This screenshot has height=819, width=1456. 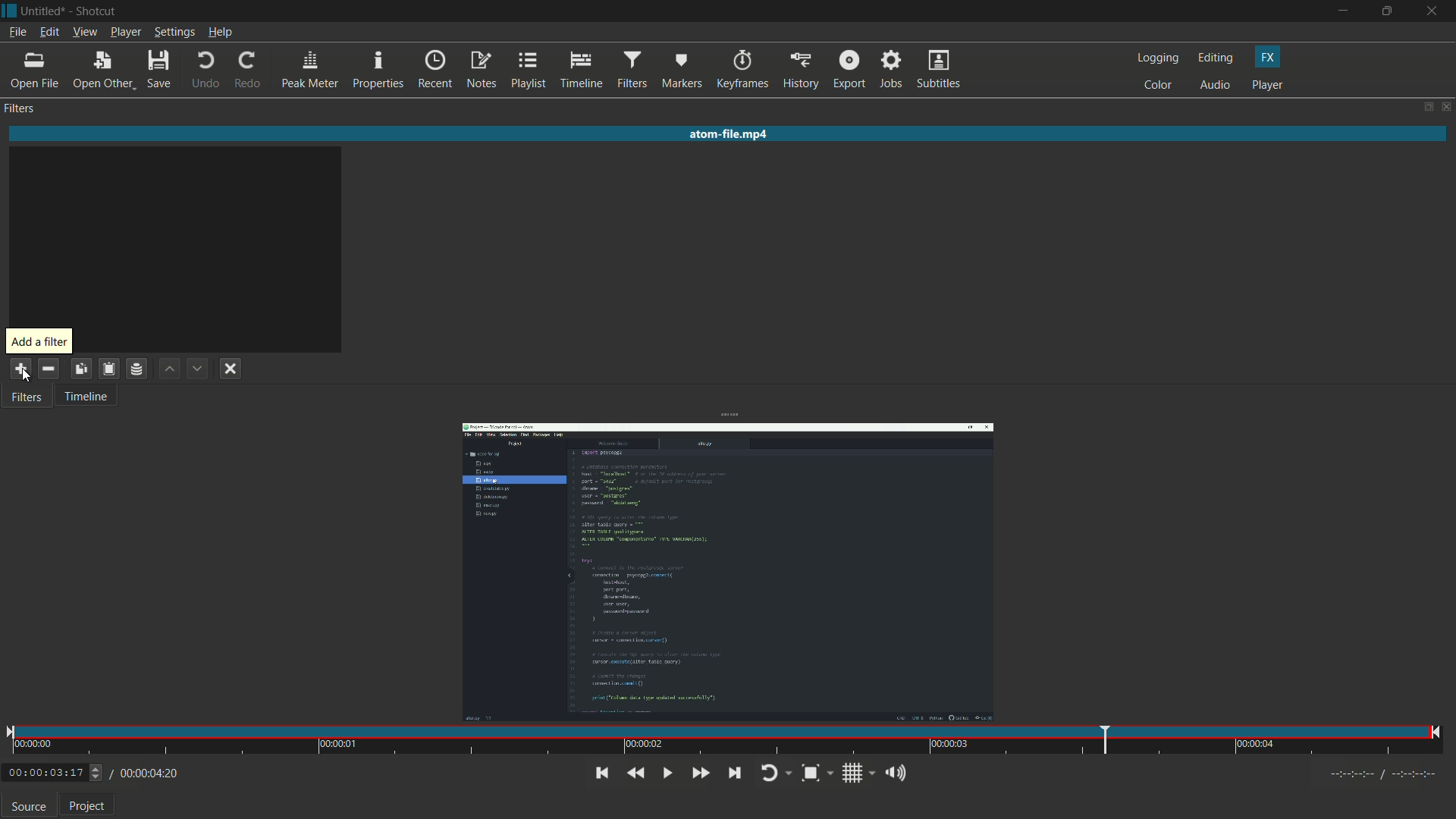 What do you see at coordinates (17, 31) in the screenshot?
I see `file menu` at bounding box center [17, 31].